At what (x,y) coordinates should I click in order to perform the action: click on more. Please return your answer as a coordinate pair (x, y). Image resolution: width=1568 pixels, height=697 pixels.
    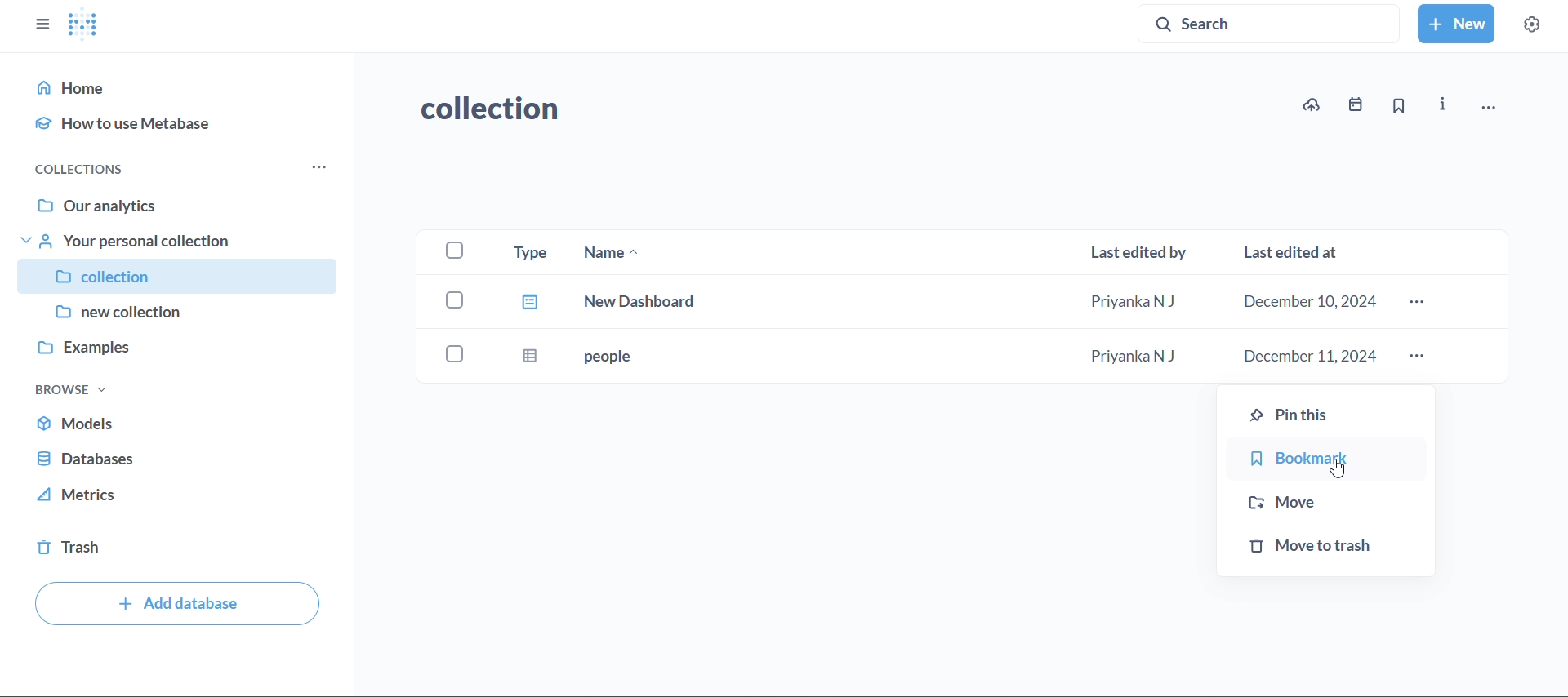
    Looking at the image, I should click on (1419, 358).